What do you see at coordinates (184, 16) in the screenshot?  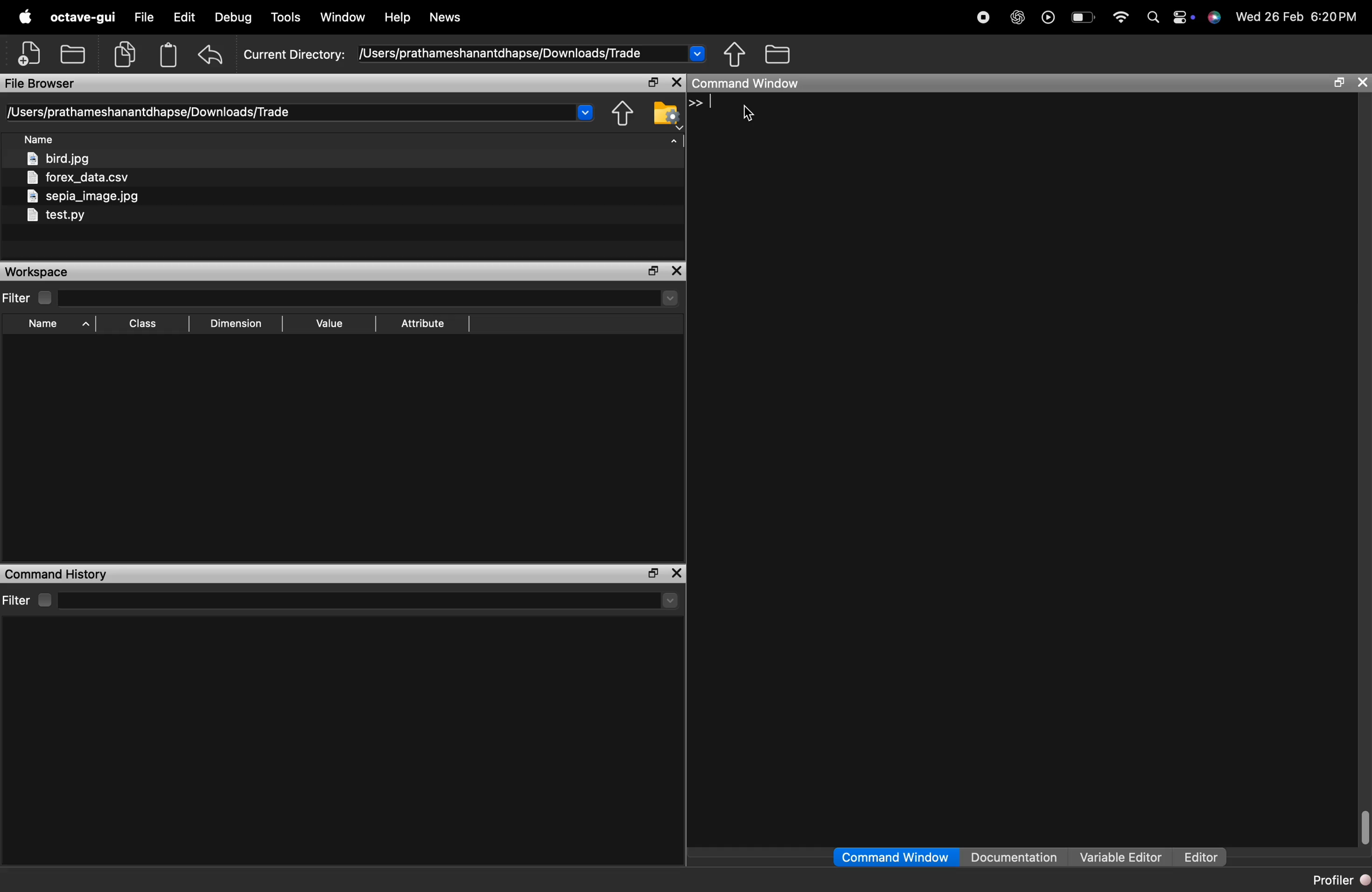 I see `Edit` at bounding box center [184, 16].